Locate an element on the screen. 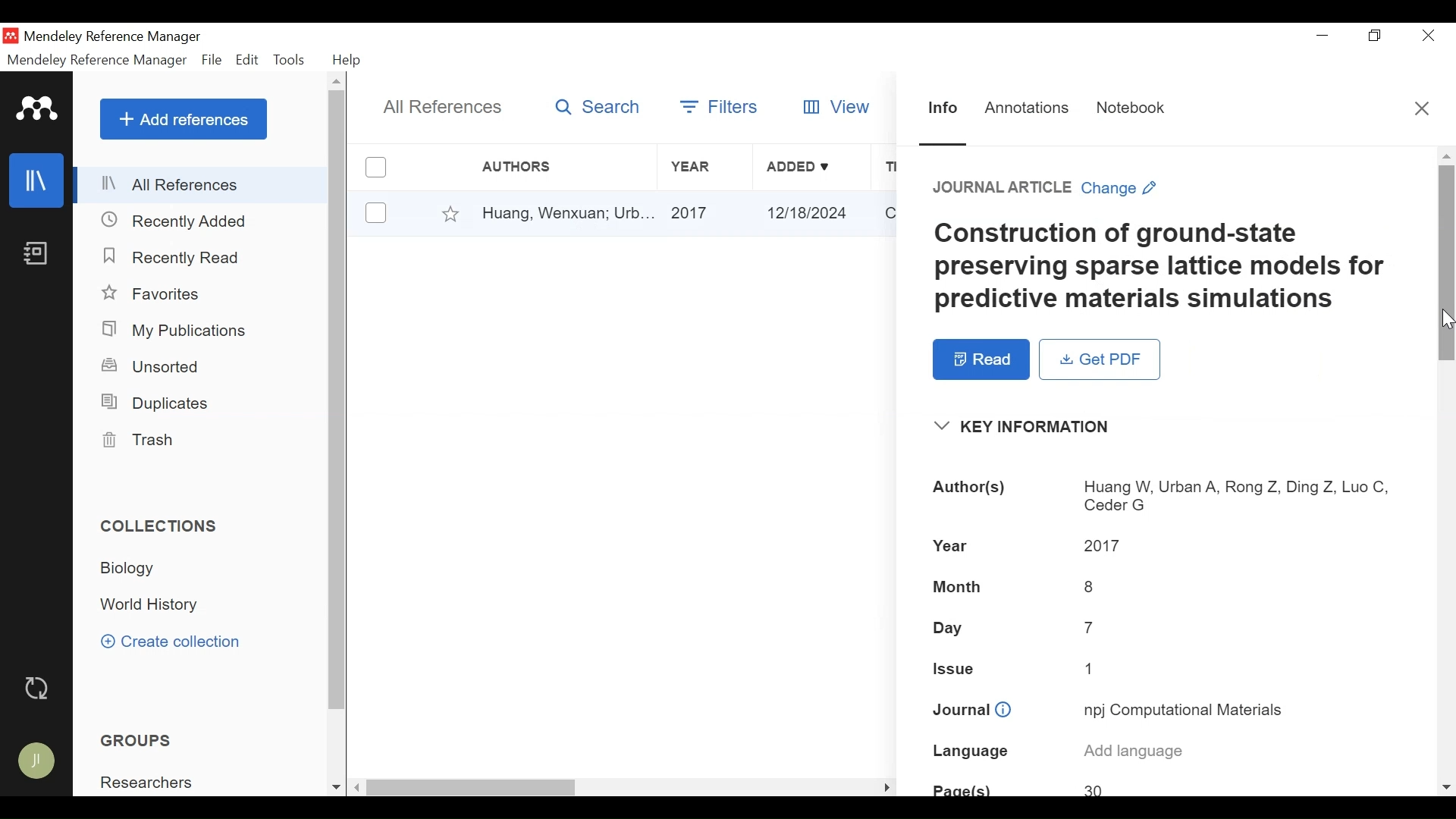  Cursor is located at coordinates (1445, 317).